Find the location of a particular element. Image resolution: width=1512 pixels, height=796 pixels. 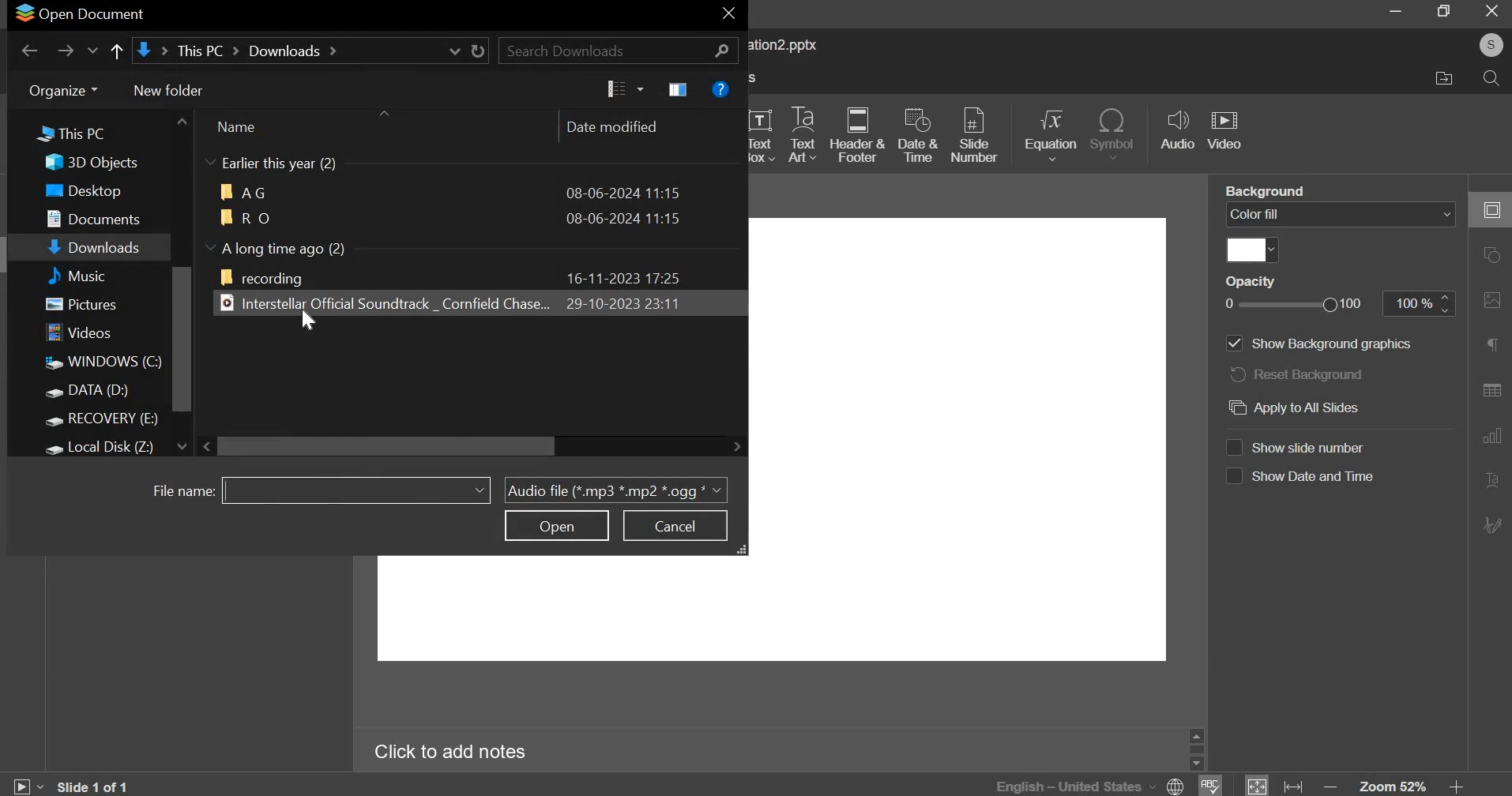

active slide out of total slides is located at coordinates (94, 785).